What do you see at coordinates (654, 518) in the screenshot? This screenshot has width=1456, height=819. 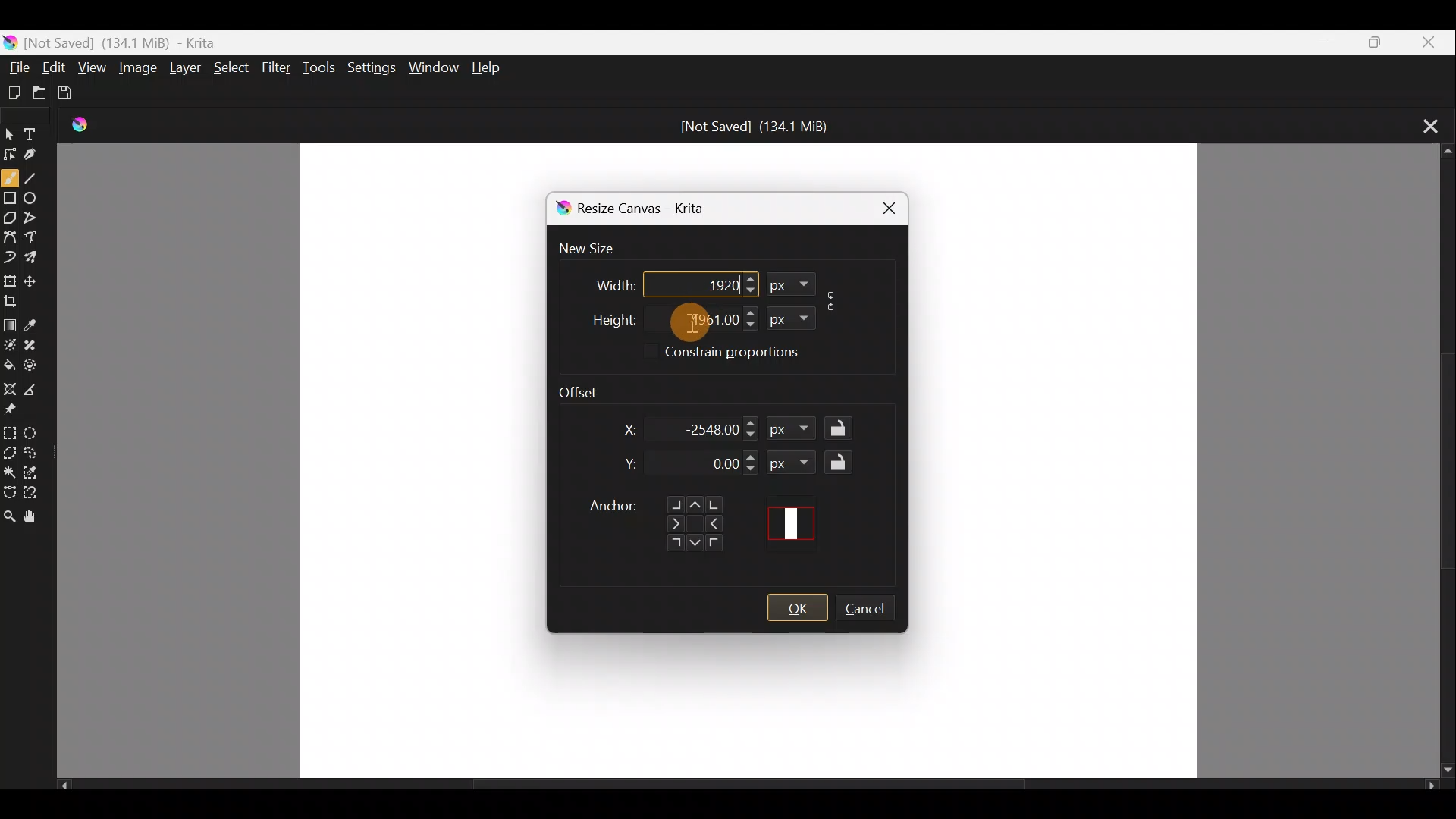 I see `Anchor` at bounding box center [654, 518].